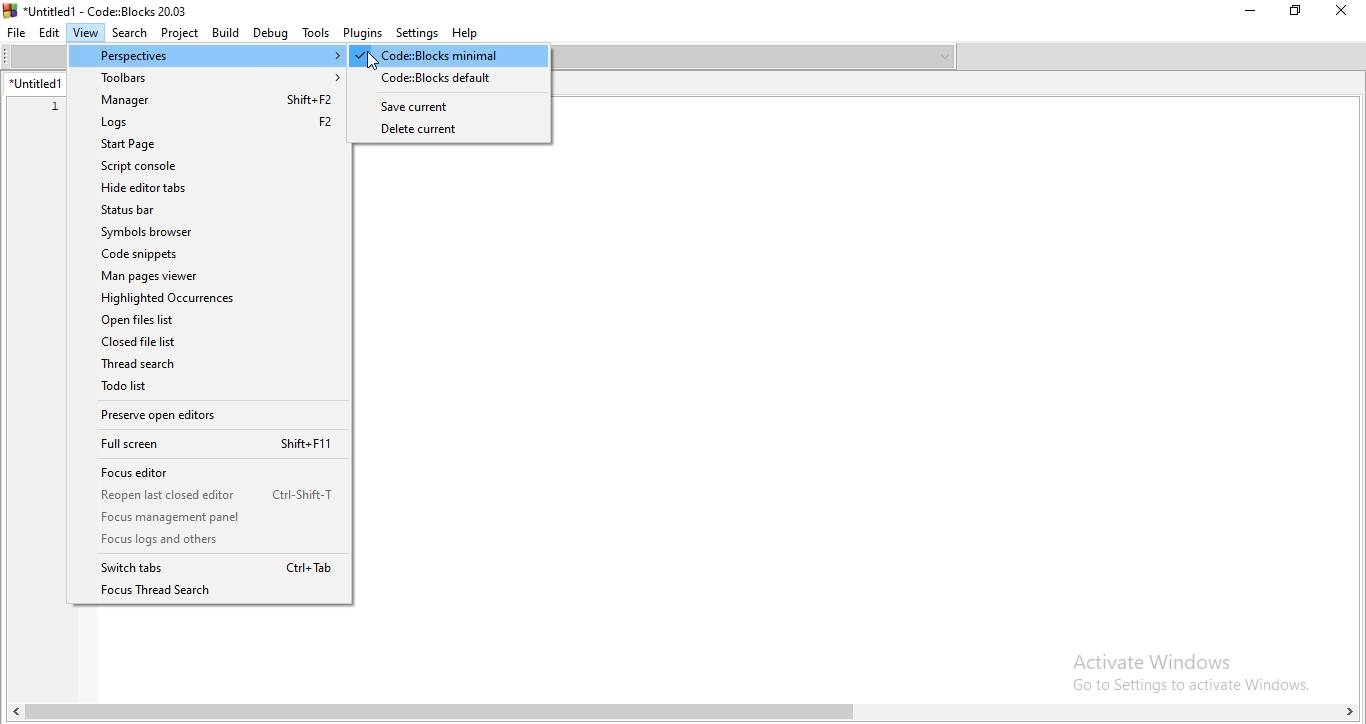  Describe the element at coordinates (33, 81) in the screenshot. I see `untitled  tab` at that location.